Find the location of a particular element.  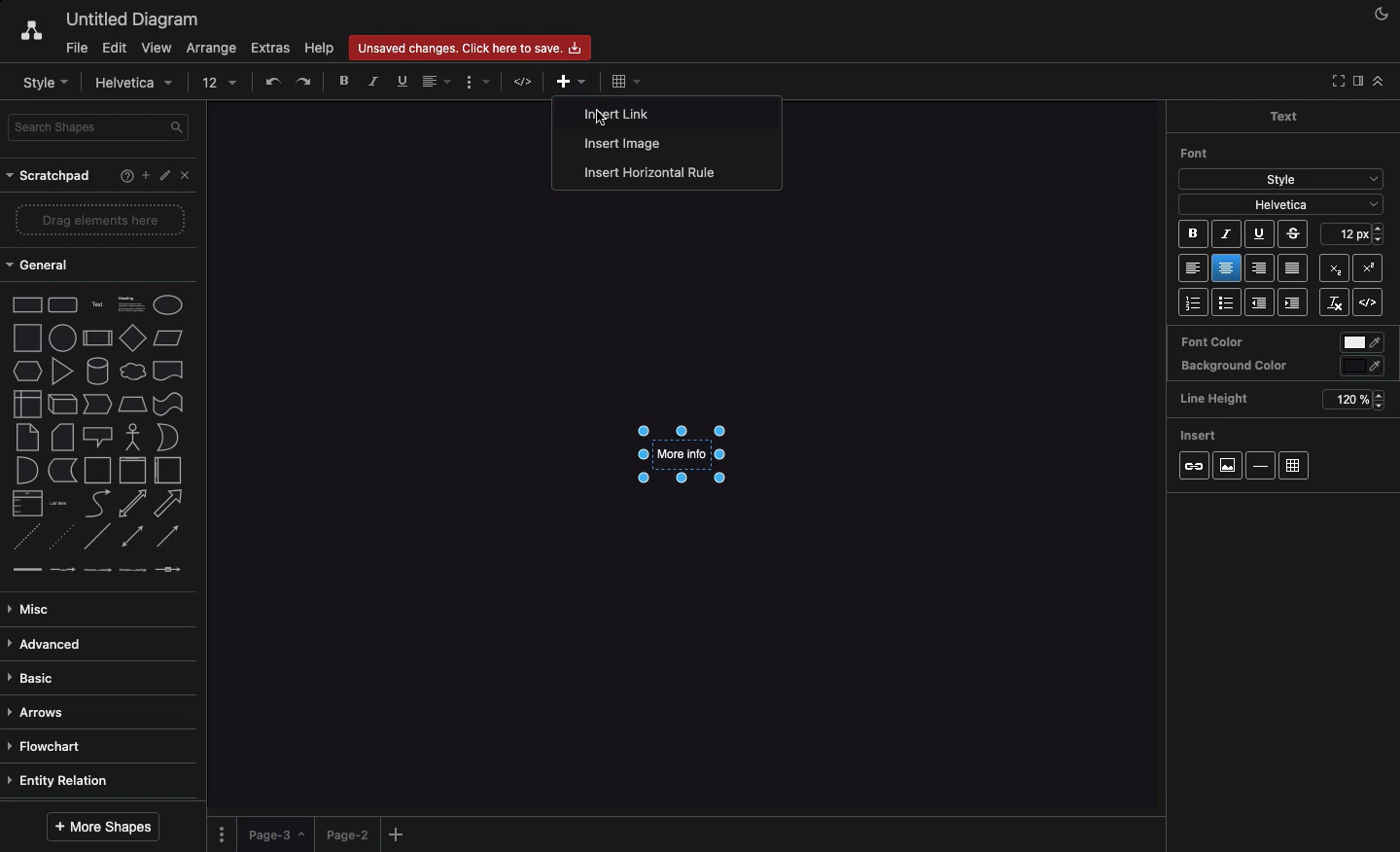

Advanced is located at coordinates (49, 646).